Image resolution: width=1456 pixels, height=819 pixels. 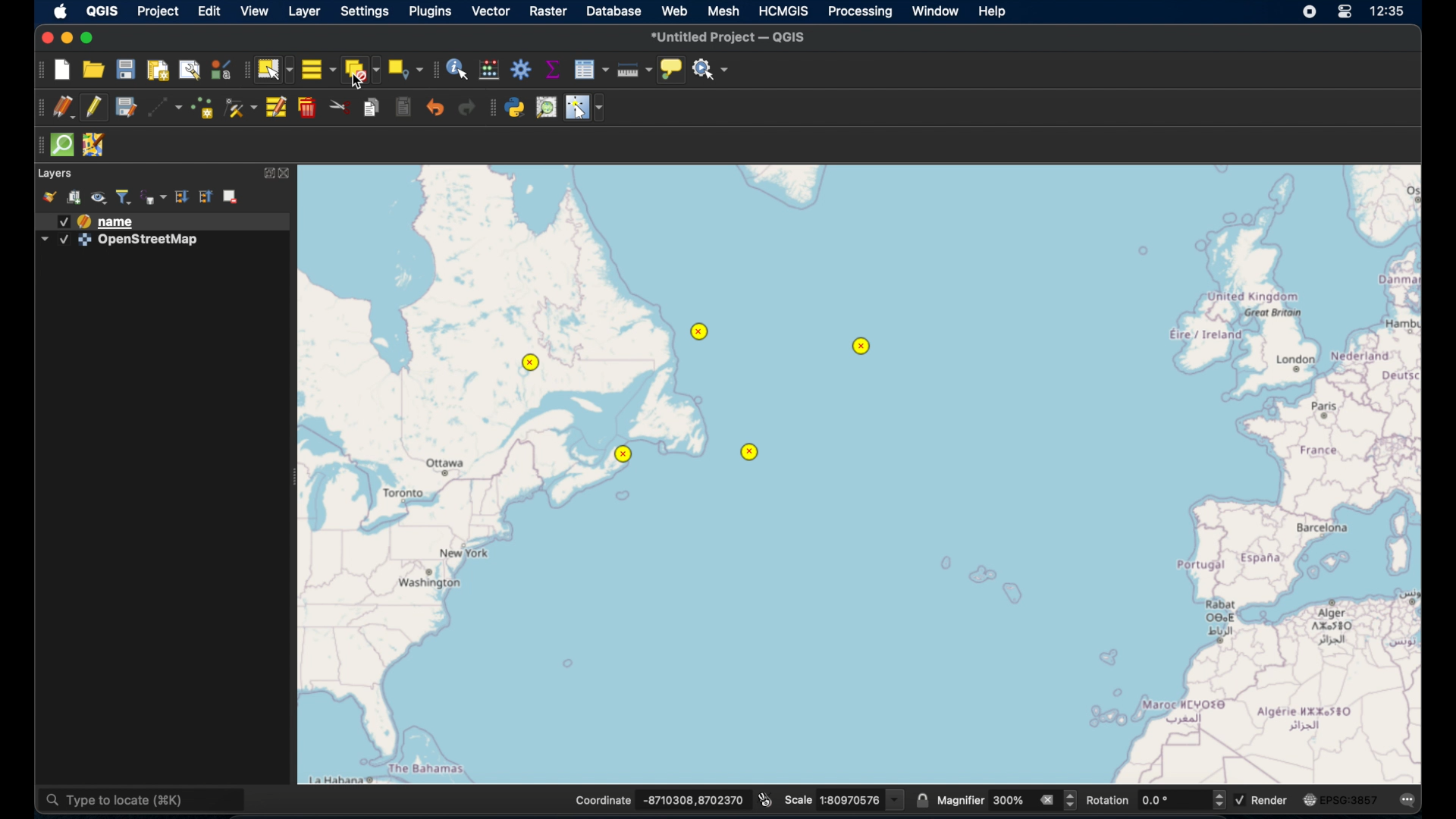 I want to click on drag handle, so click(x=36, y=108).